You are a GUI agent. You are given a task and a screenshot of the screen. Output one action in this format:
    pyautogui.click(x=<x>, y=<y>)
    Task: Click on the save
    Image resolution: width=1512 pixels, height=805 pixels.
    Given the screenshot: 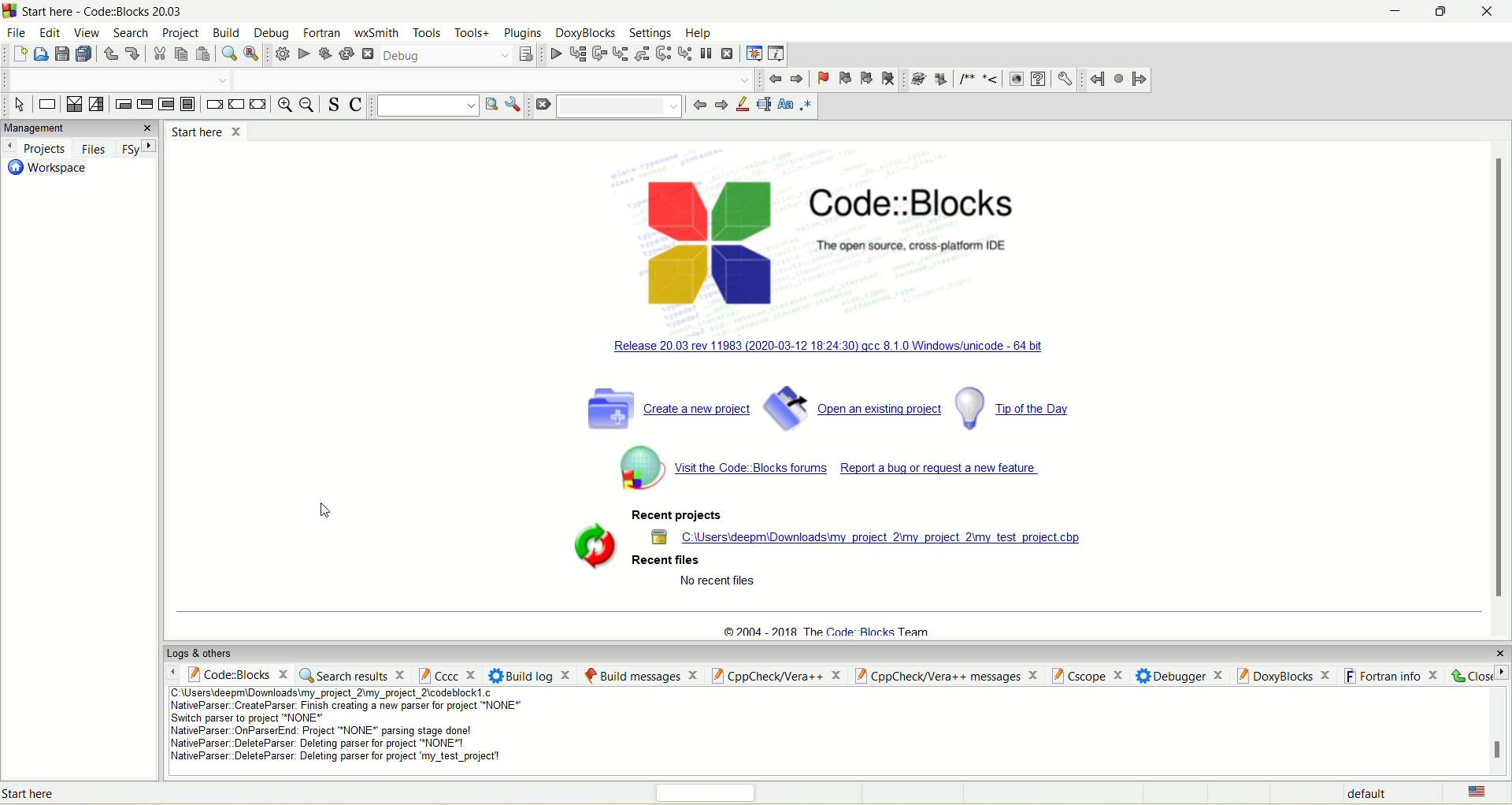 What is the action you would take?
    pyautogui.click(x=62, y=54)
    